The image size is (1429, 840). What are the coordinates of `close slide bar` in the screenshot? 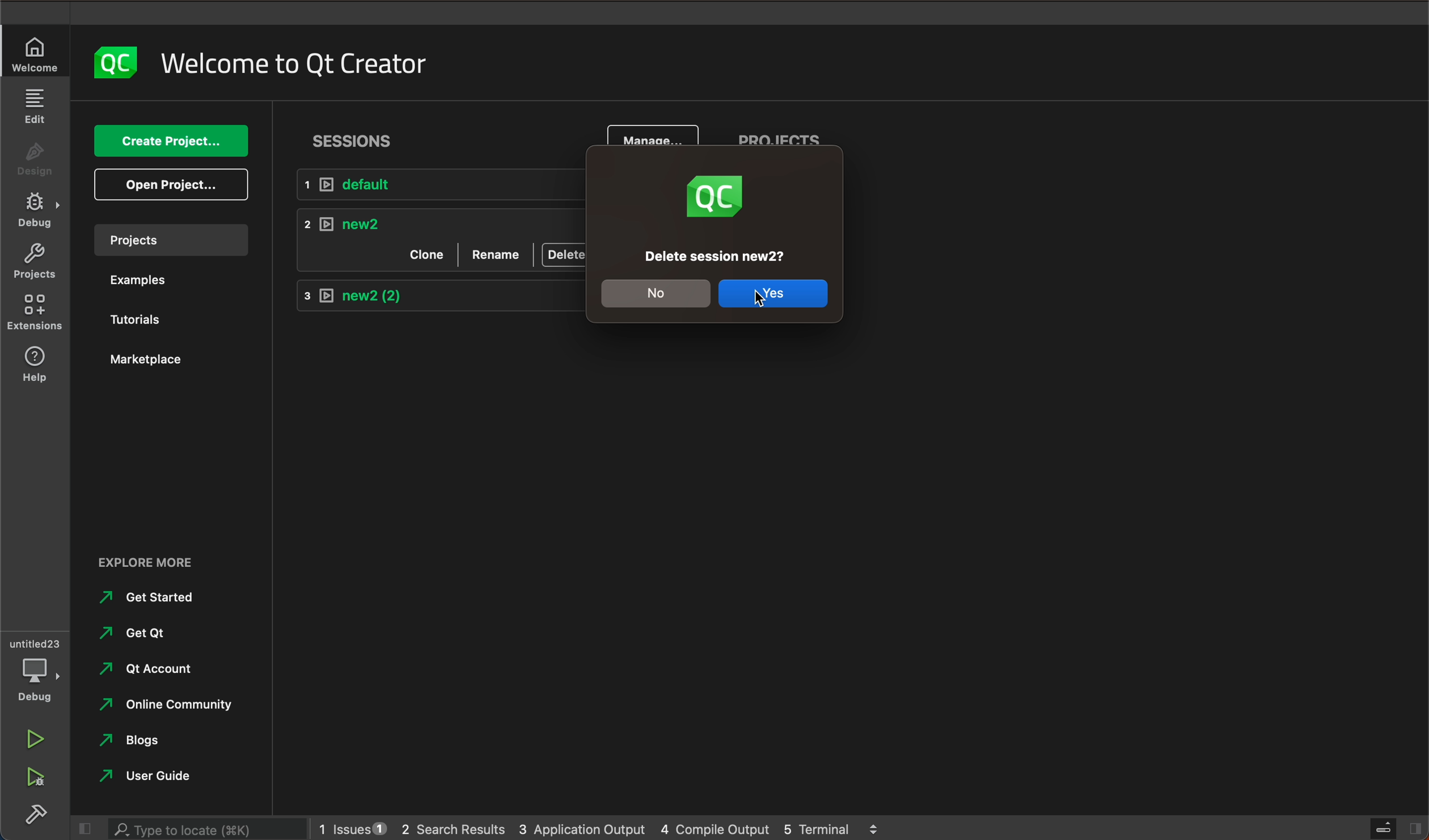 It's located at (86, 828).